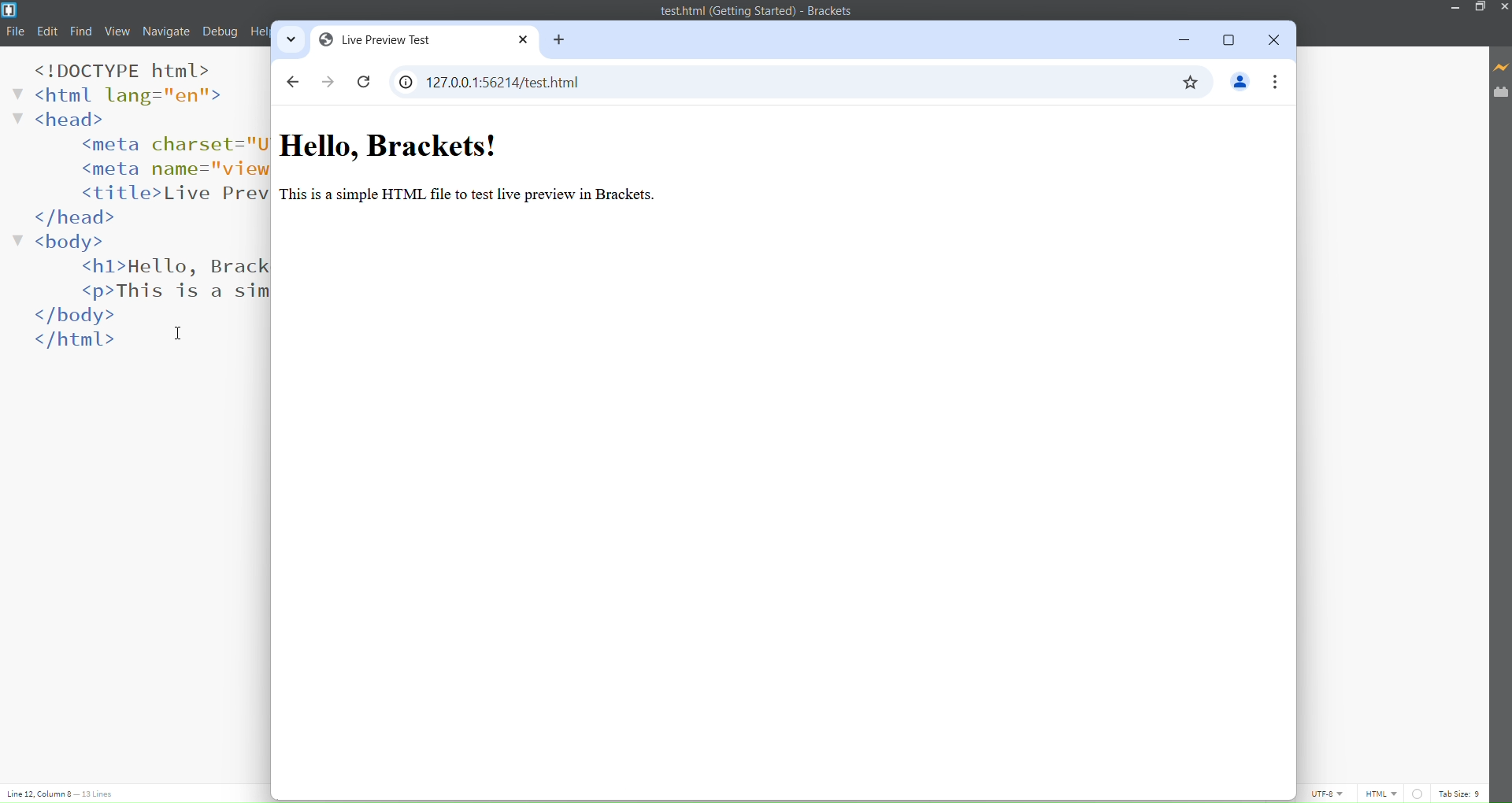 This screenshot has height=803, width=1512. What do you see at coordinates (1277, 83) in the screenshot?
I see `Options` at bounding box center [1277, 83].